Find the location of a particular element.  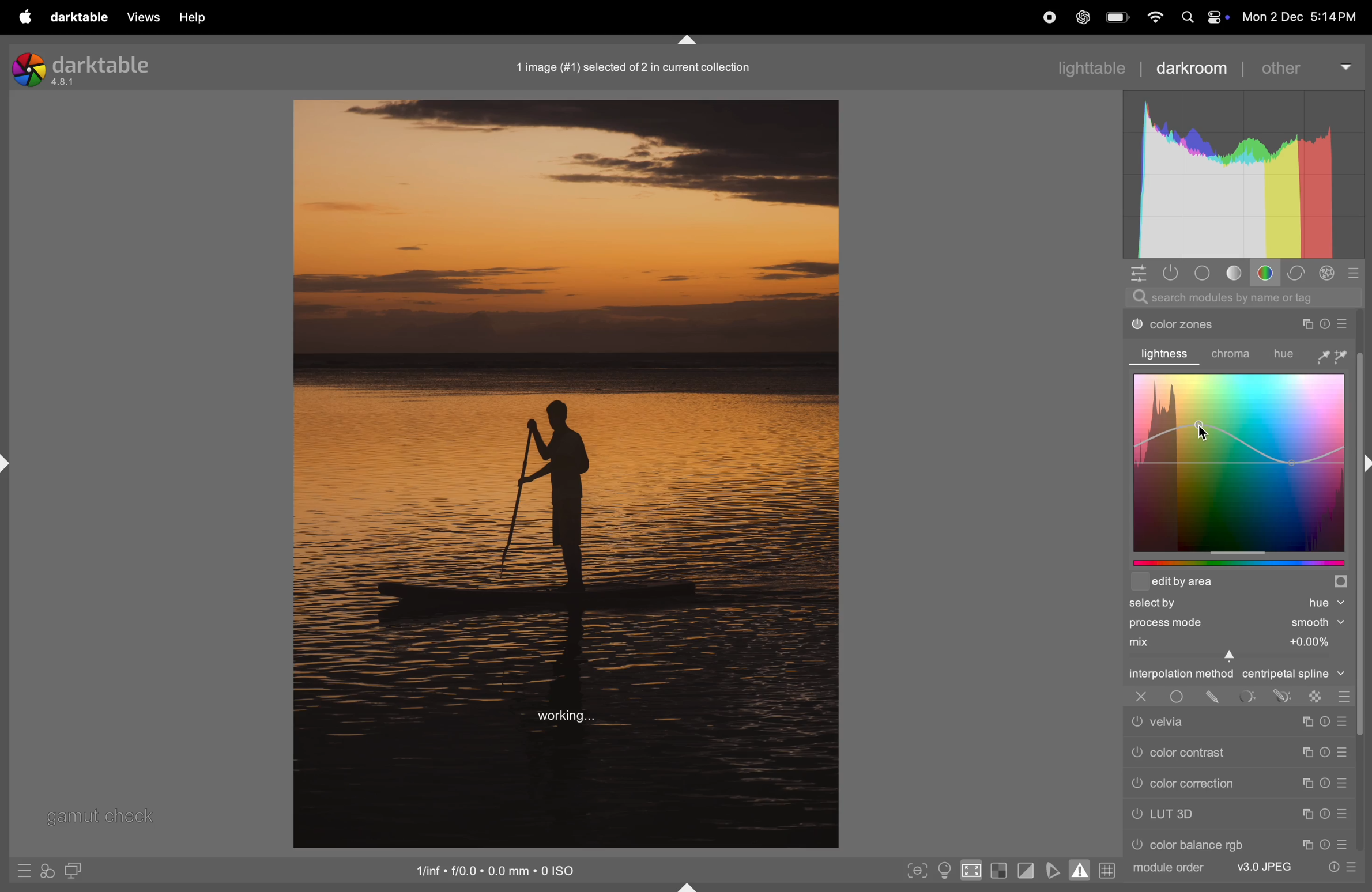

preset is located at coordinates (1342, 753).